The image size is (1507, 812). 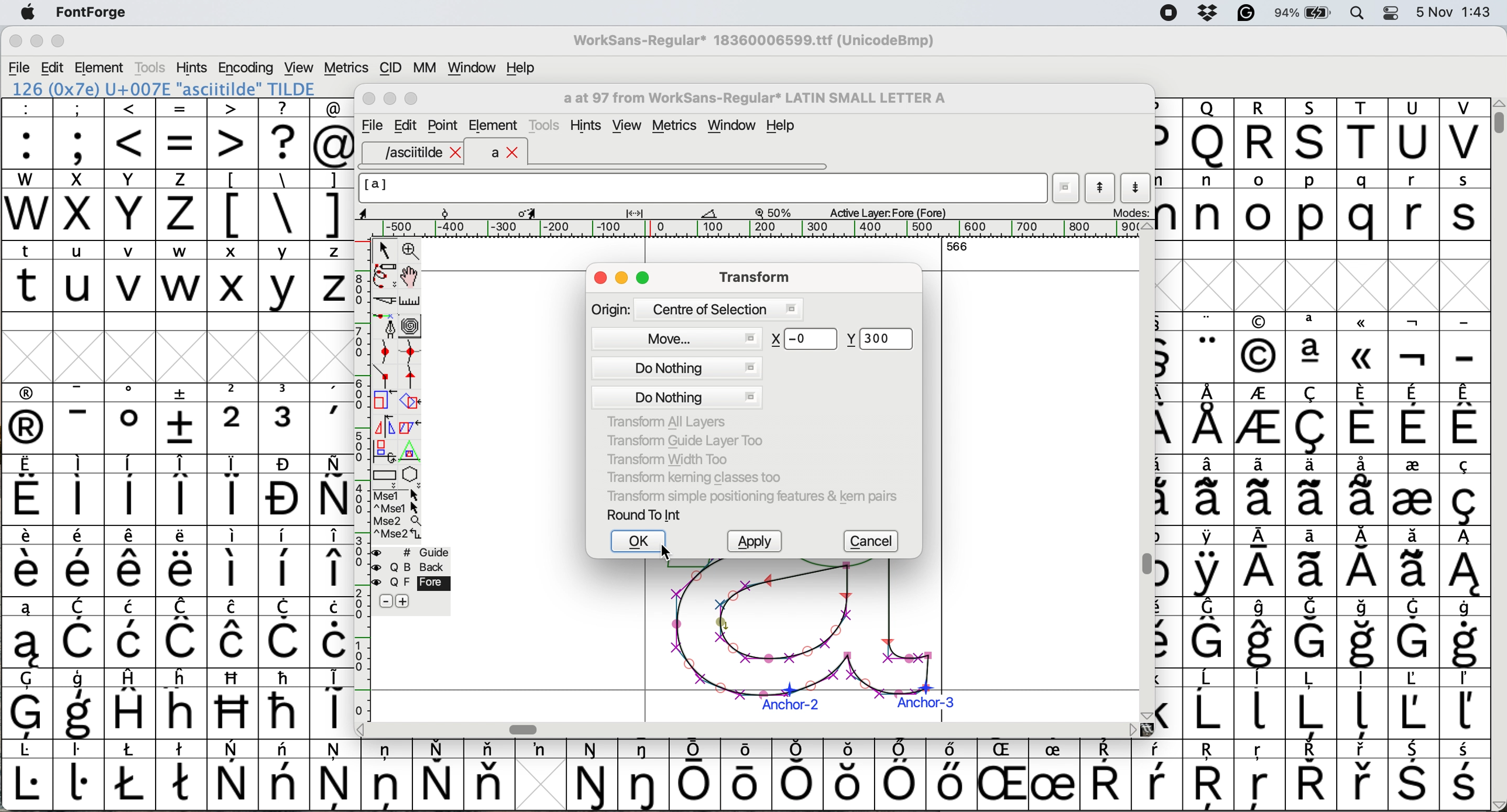 What do you see at coordinates (233, 560) in the screenshot?
I see `symbol` at bounding box center [233, 560].